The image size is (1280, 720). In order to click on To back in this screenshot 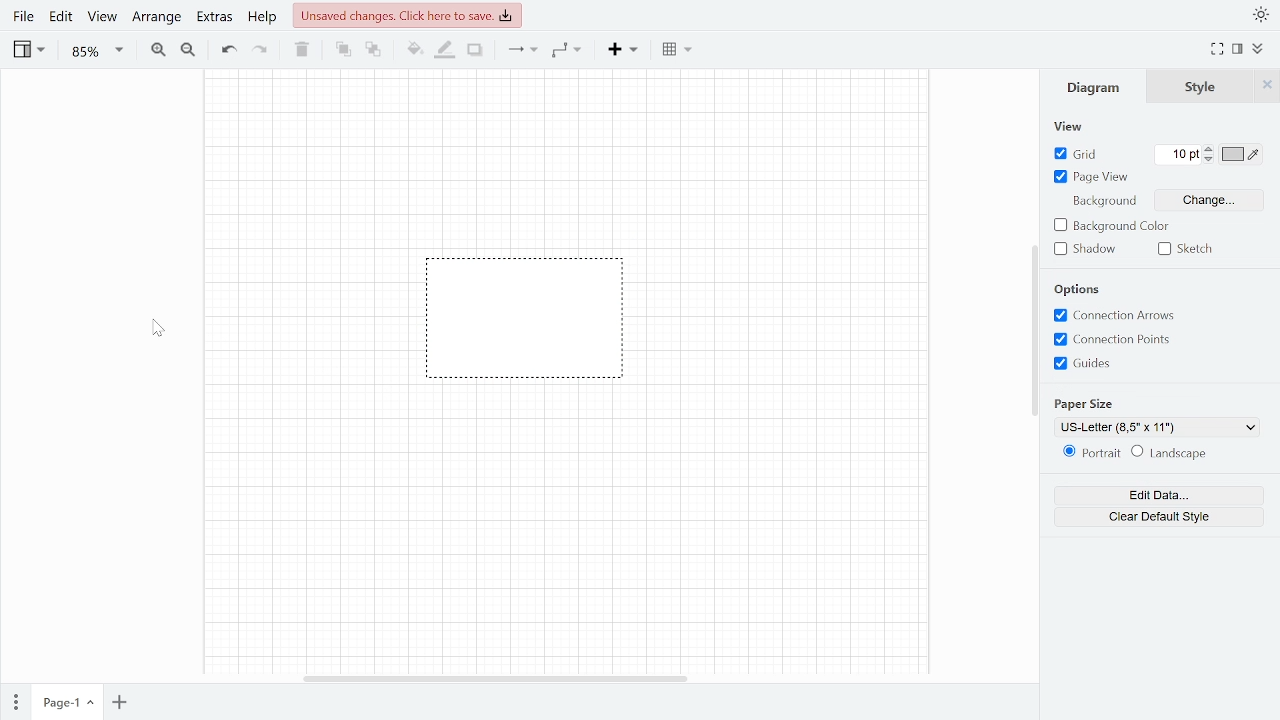, I will do `click(372, 51)`.